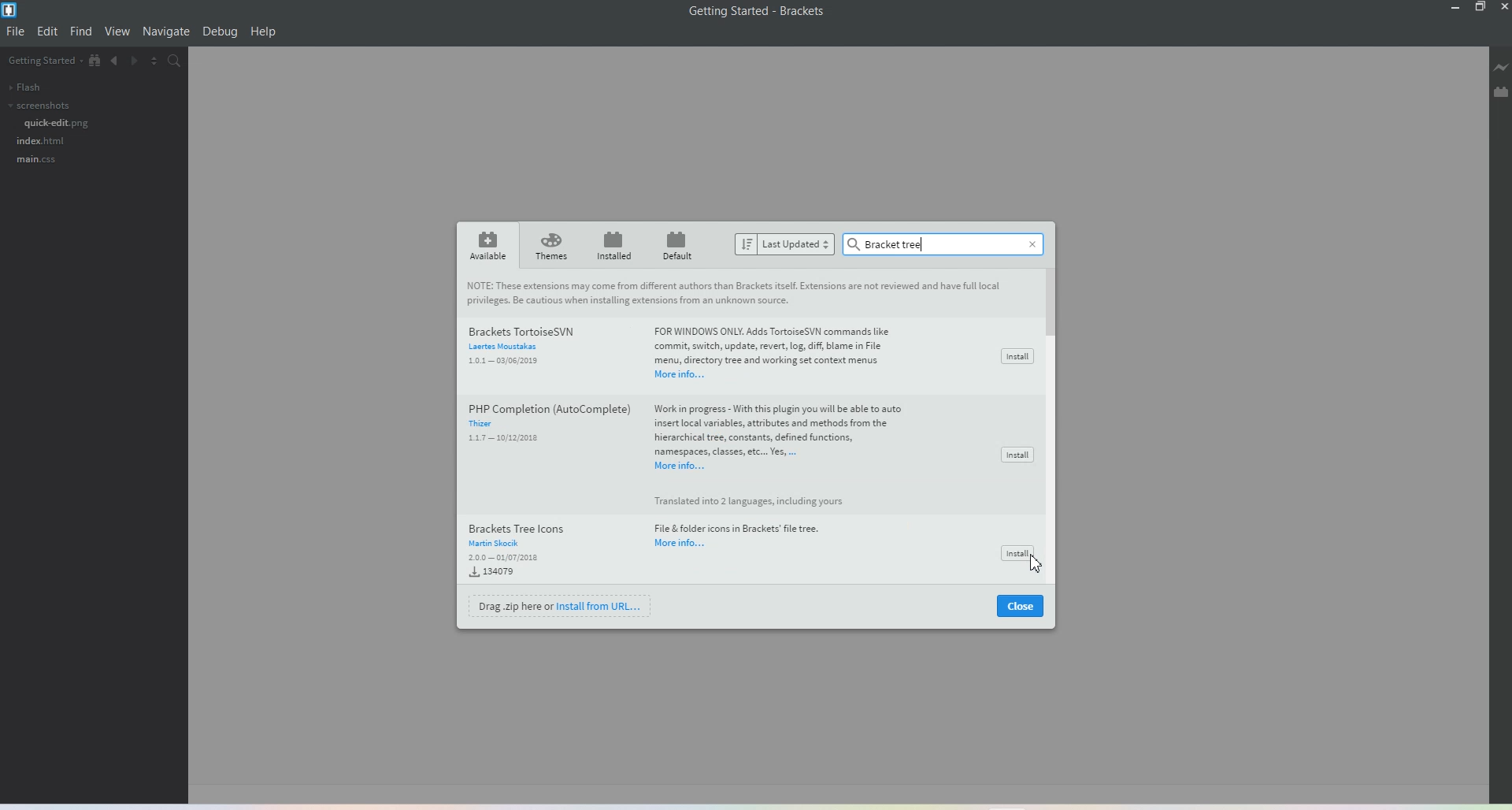  Describe the element at coordinates (118, 32) in the screenshot. I see `View` at that location.